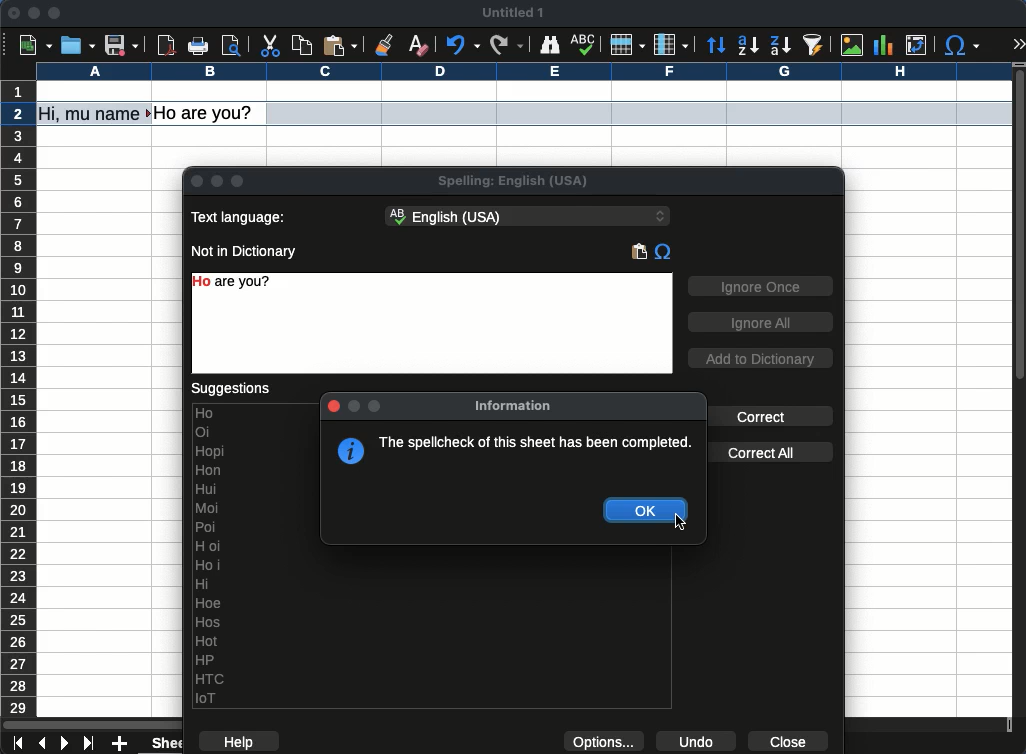  What do you see at coordinates (550, 46) in the screenshot?
I see `finder` at bounding box center [550, 46].